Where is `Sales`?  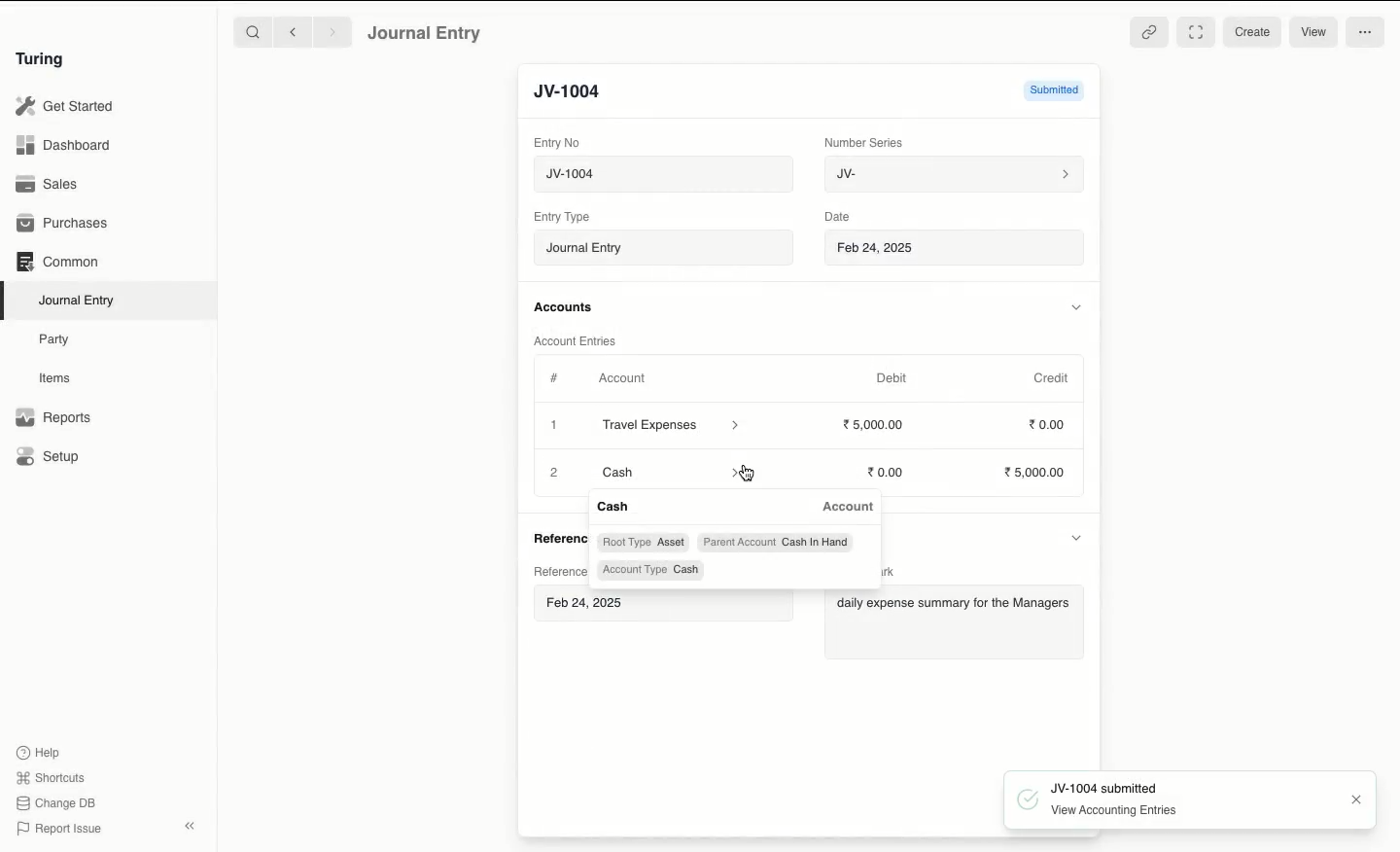 Sales is located at coordinates (50, 184).